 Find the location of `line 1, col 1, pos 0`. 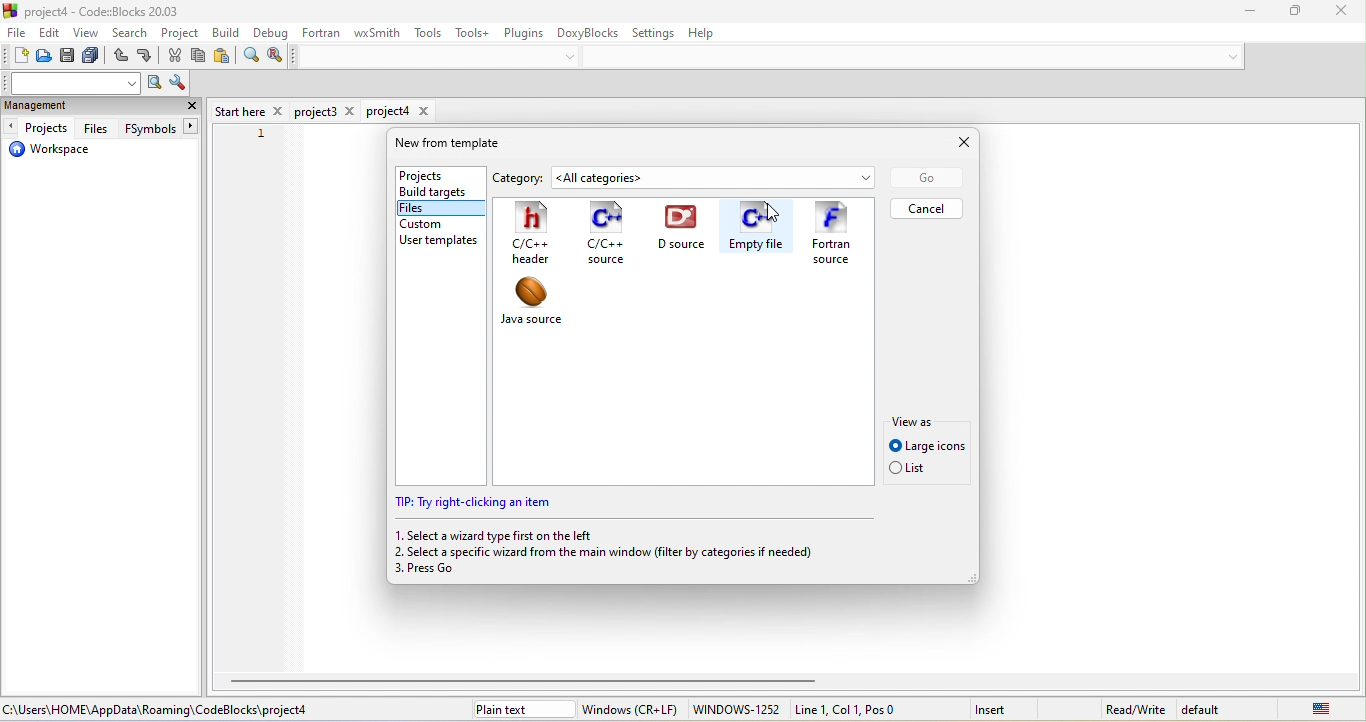

line 1, col 1, pos 0 is located at coordinates (869, 709).